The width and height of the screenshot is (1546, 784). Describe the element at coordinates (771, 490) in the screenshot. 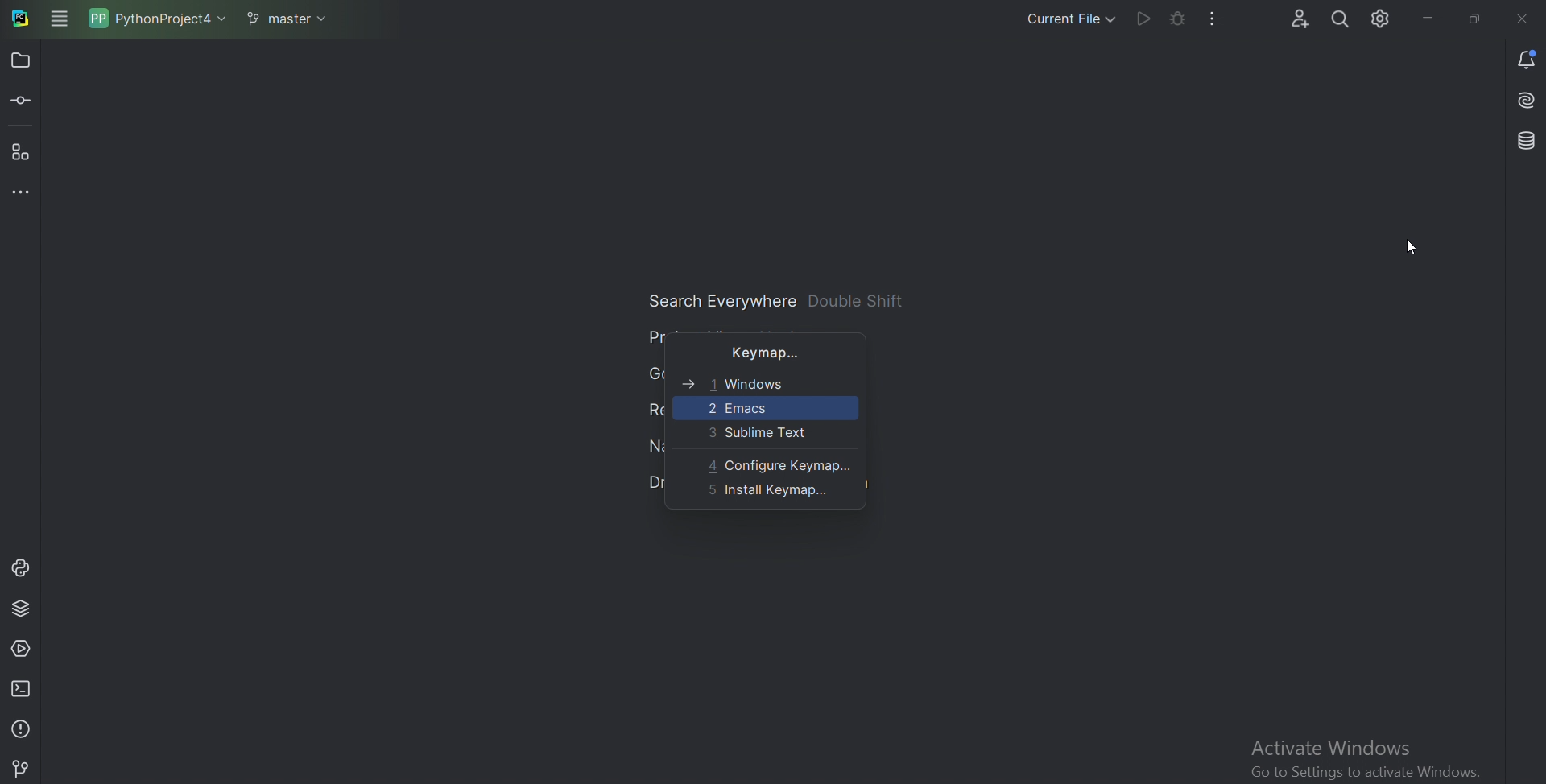

I see `Install keymap` at that location.